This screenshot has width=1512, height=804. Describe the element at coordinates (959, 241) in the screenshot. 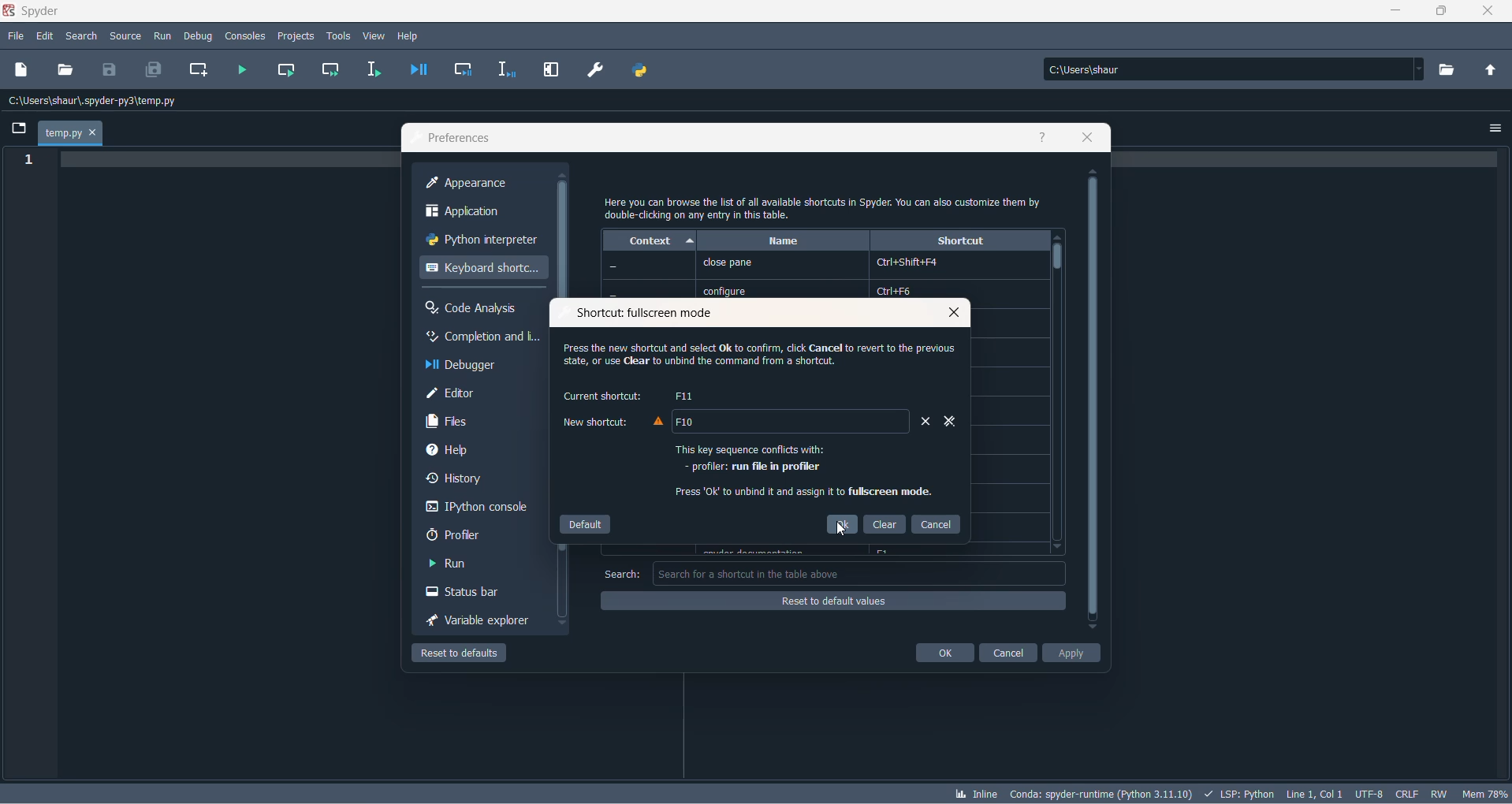

I see `shortcut` at that location.